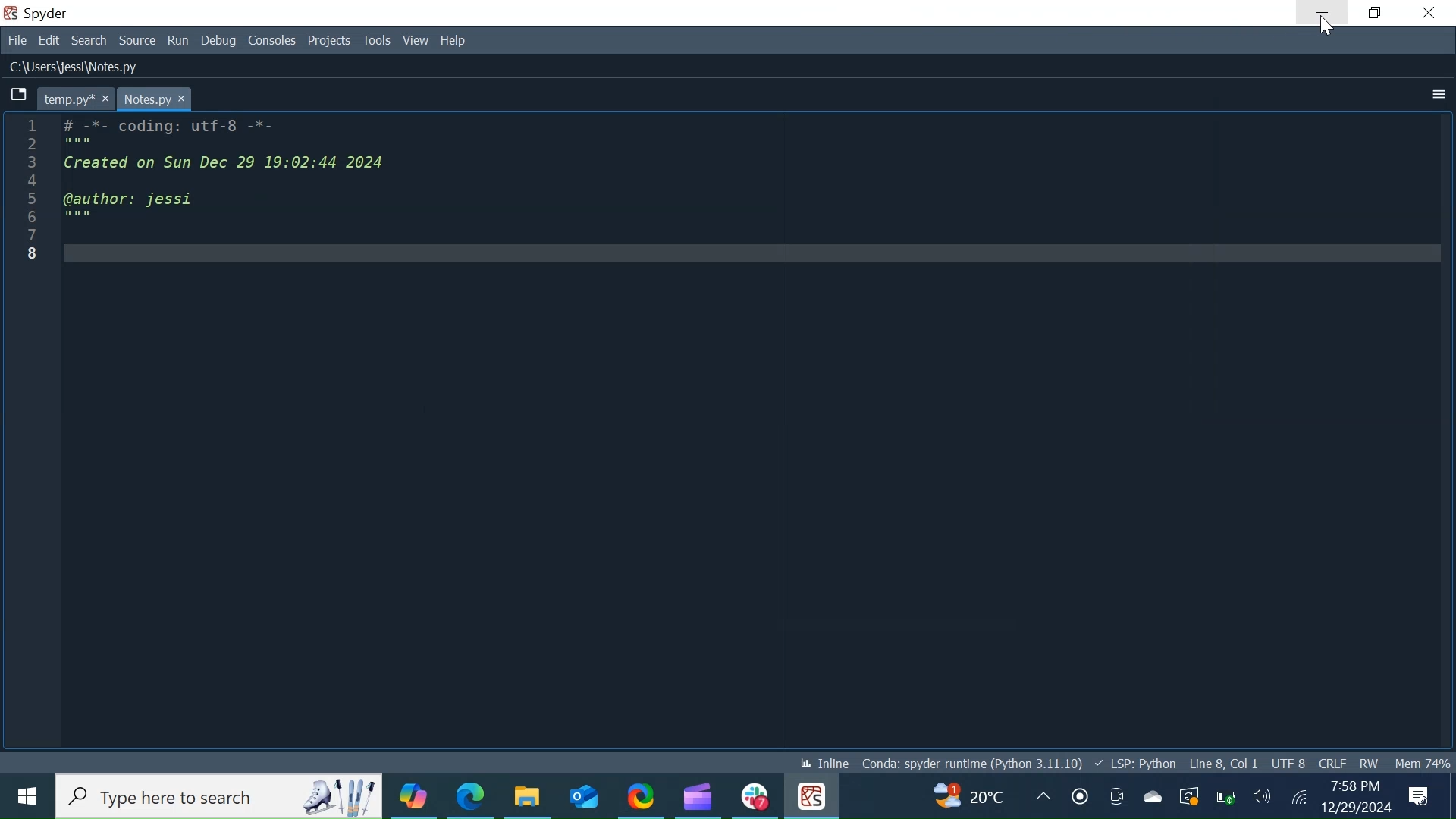 The height and width of the screenshot is (819, 1456). Describe the element at coordinates (30, 190) in the screenshot. I see `line number` at that location.